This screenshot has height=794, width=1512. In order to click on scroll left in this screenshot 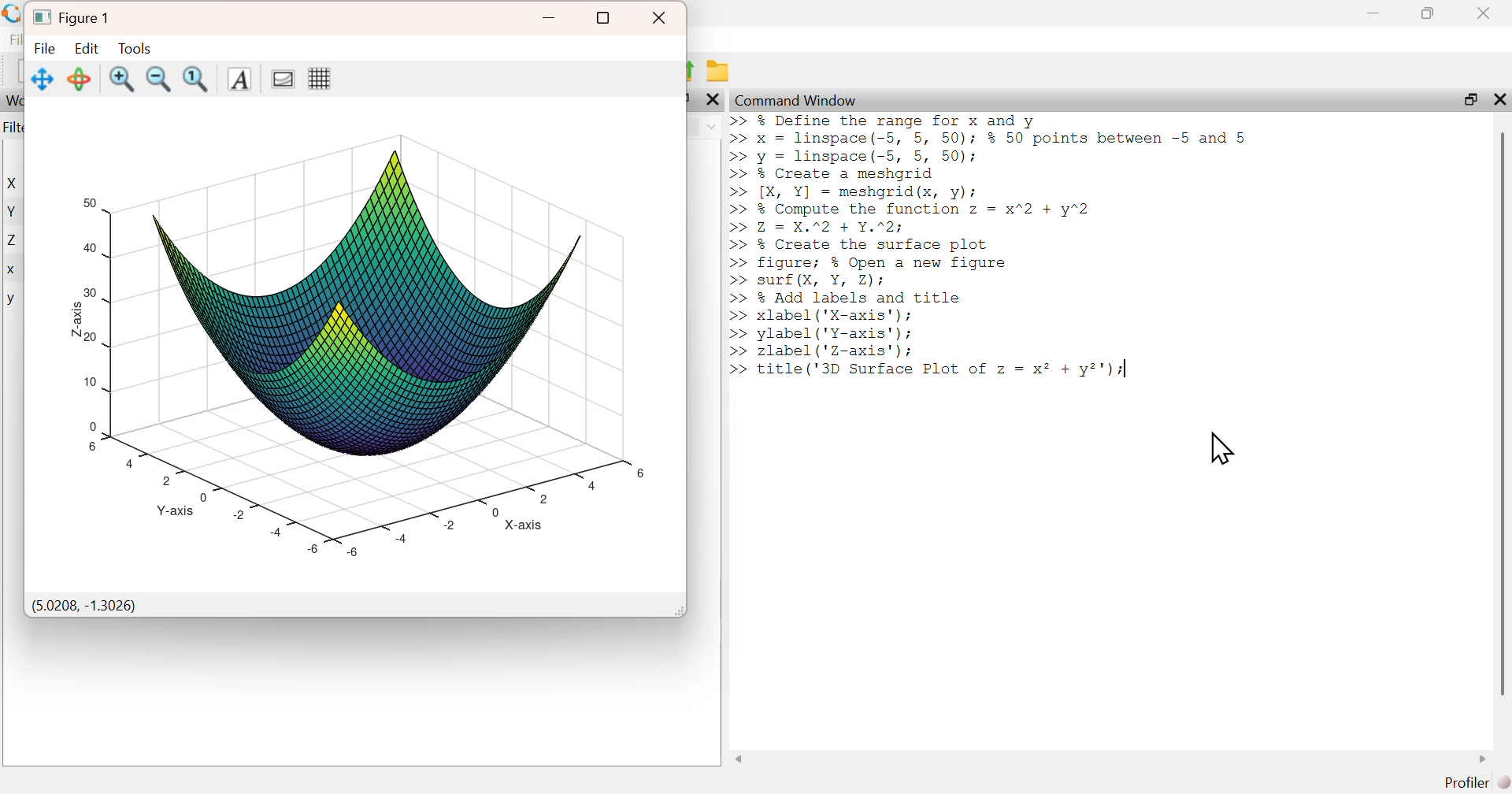, I will do `click(739, 759)`.